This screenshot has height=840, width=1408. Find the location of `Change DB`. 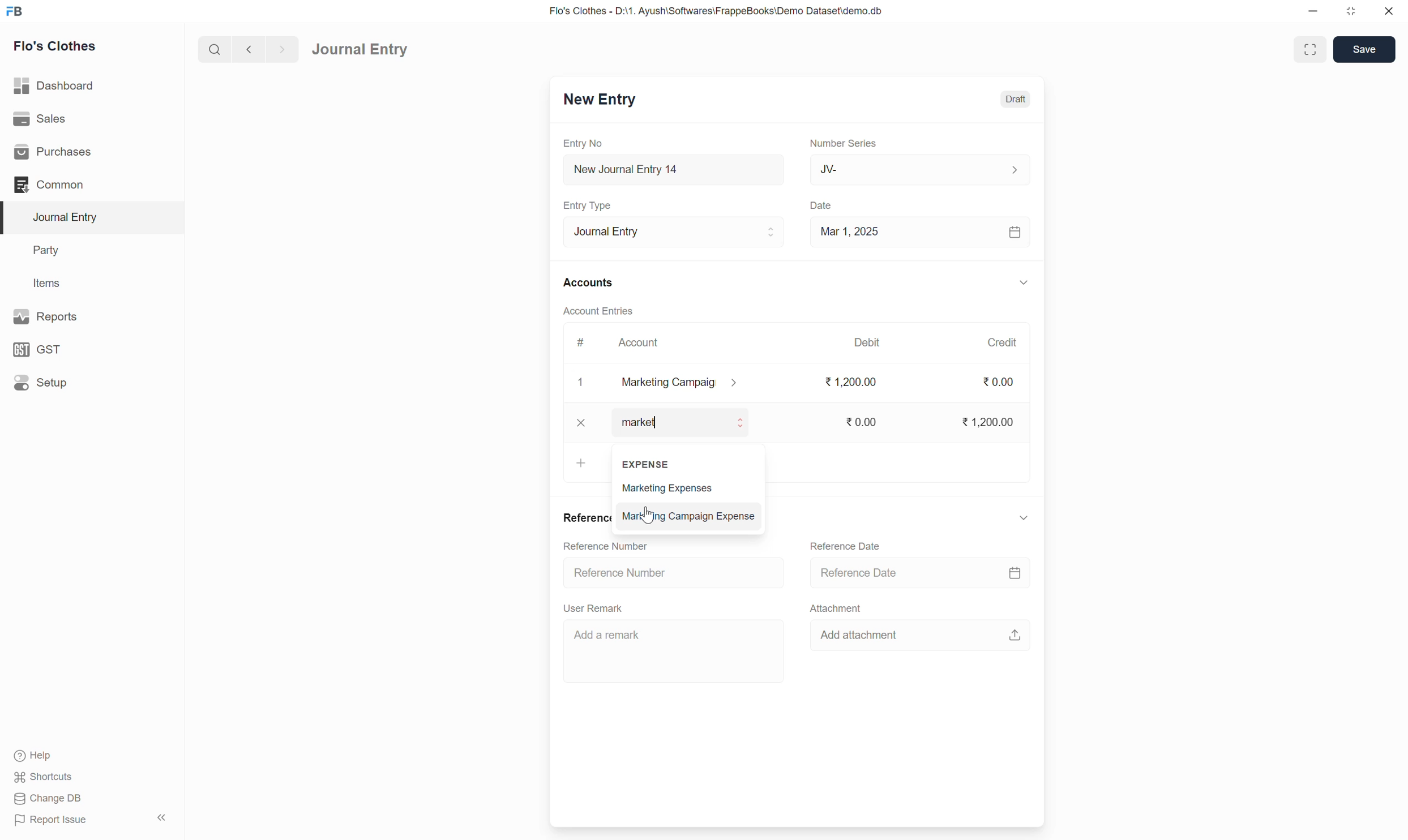

Change DB is located at coordinates (48, 798).